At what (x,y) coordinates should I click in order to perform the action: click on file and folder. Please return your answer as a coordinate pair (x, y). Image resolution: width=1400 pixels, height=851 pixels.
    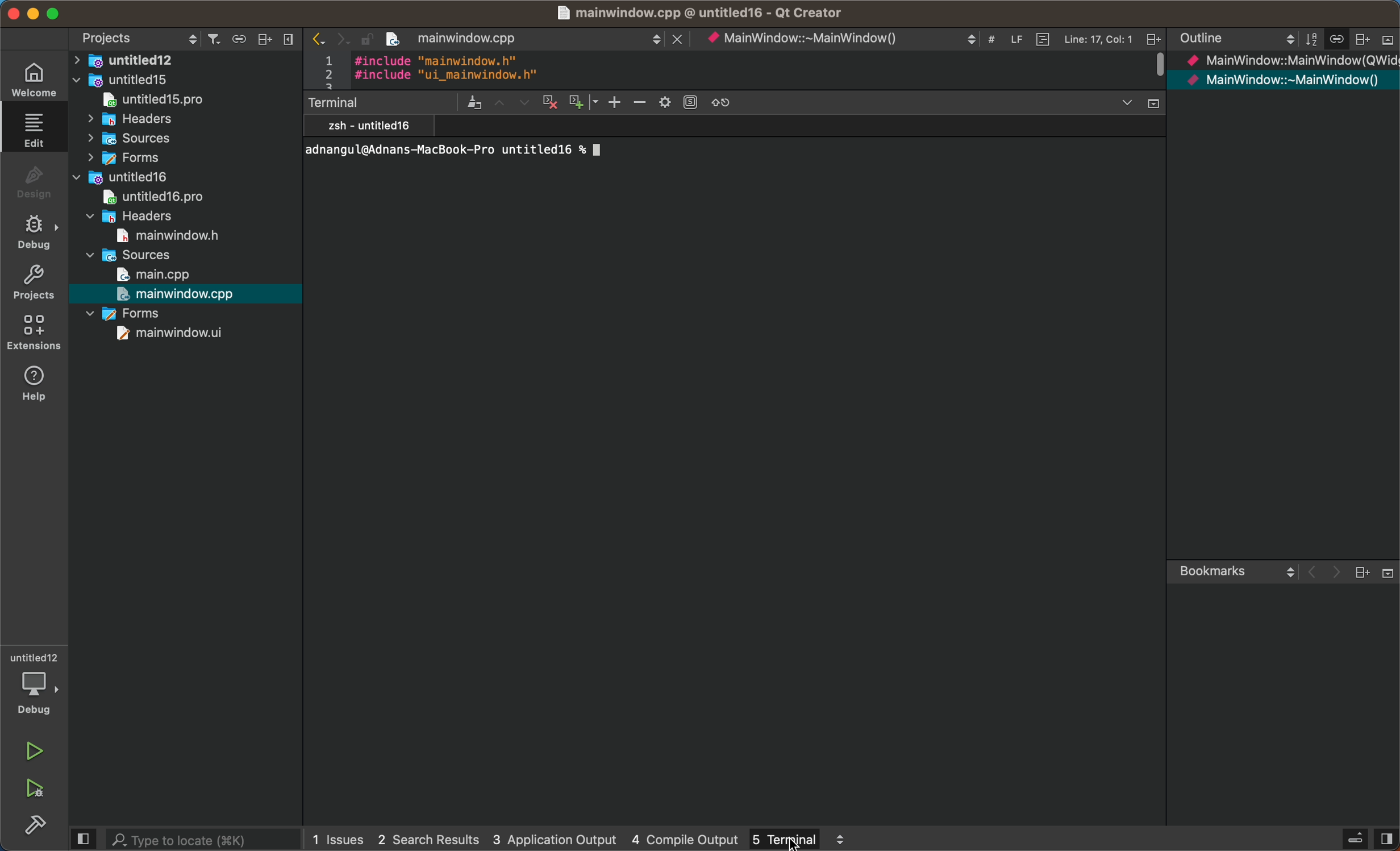
    Looking at the image, I should click on (187, 119).